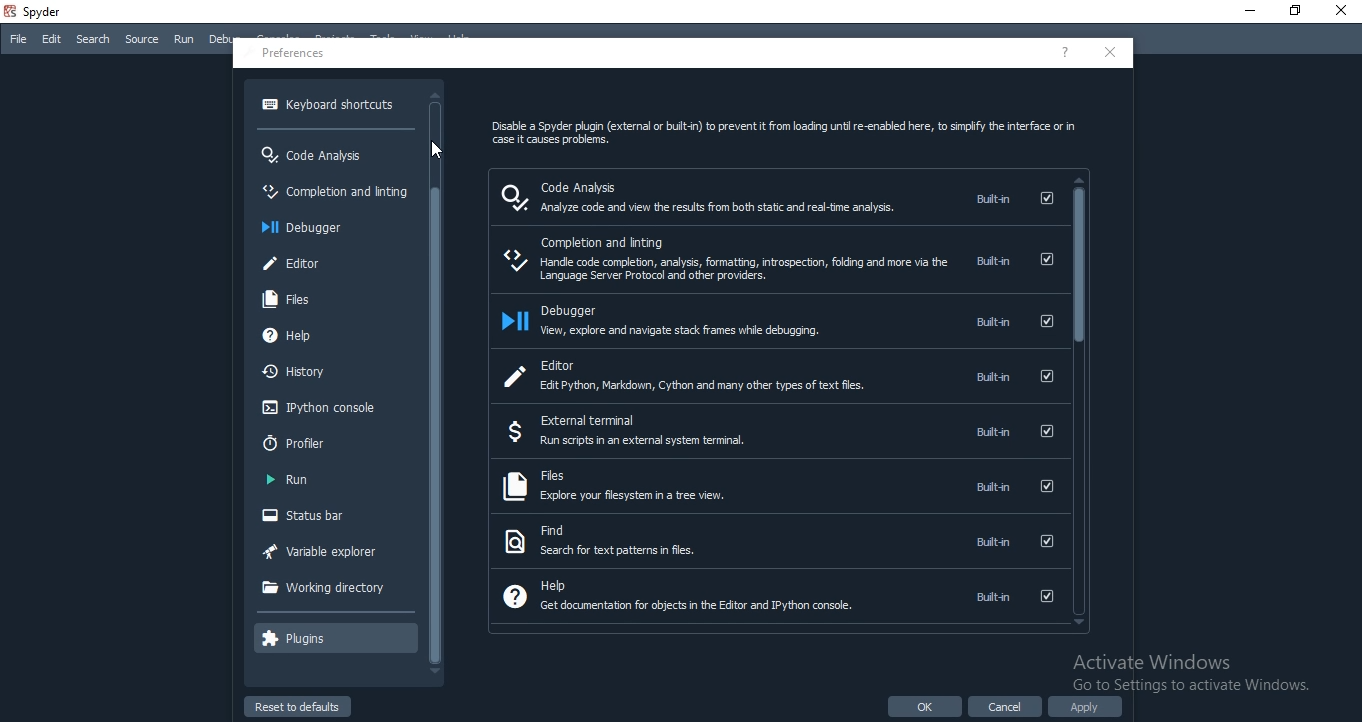  I want to click on IPython console, so click(318, 407).